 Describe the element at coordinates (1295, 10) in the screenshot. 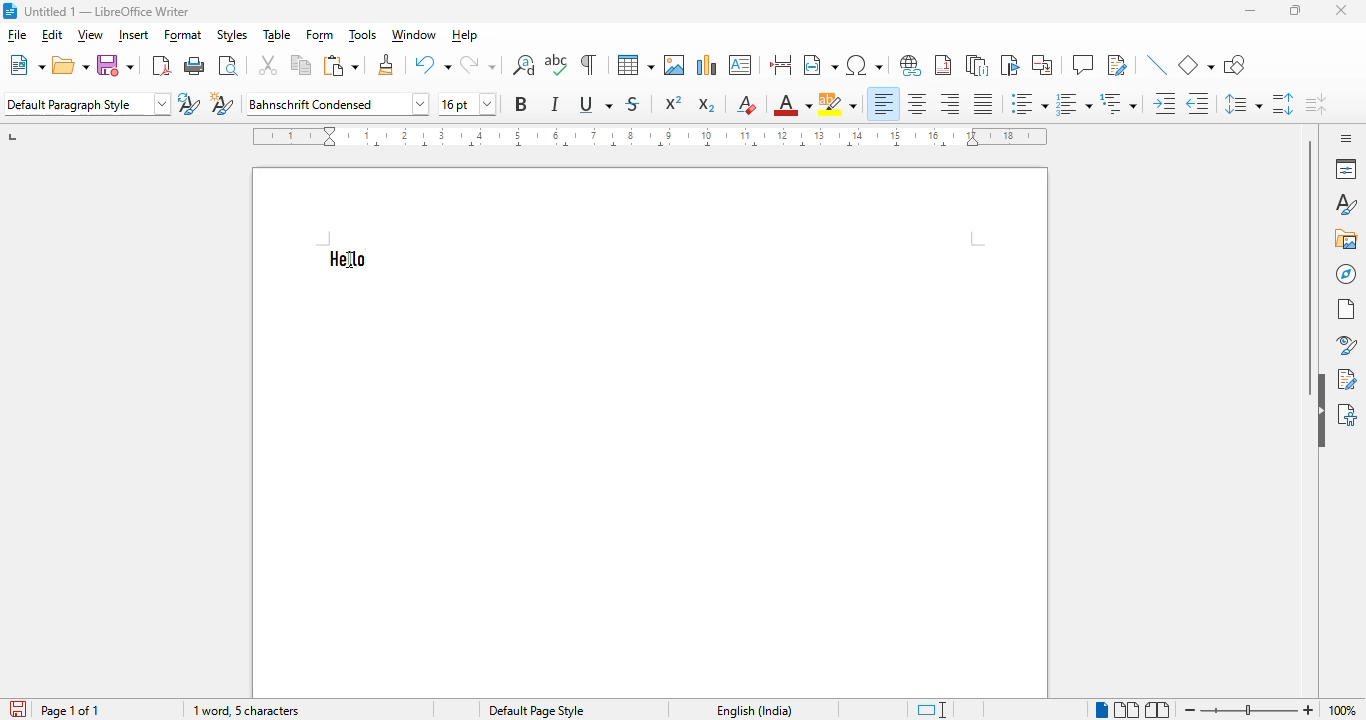

I see `maximize` at that location.